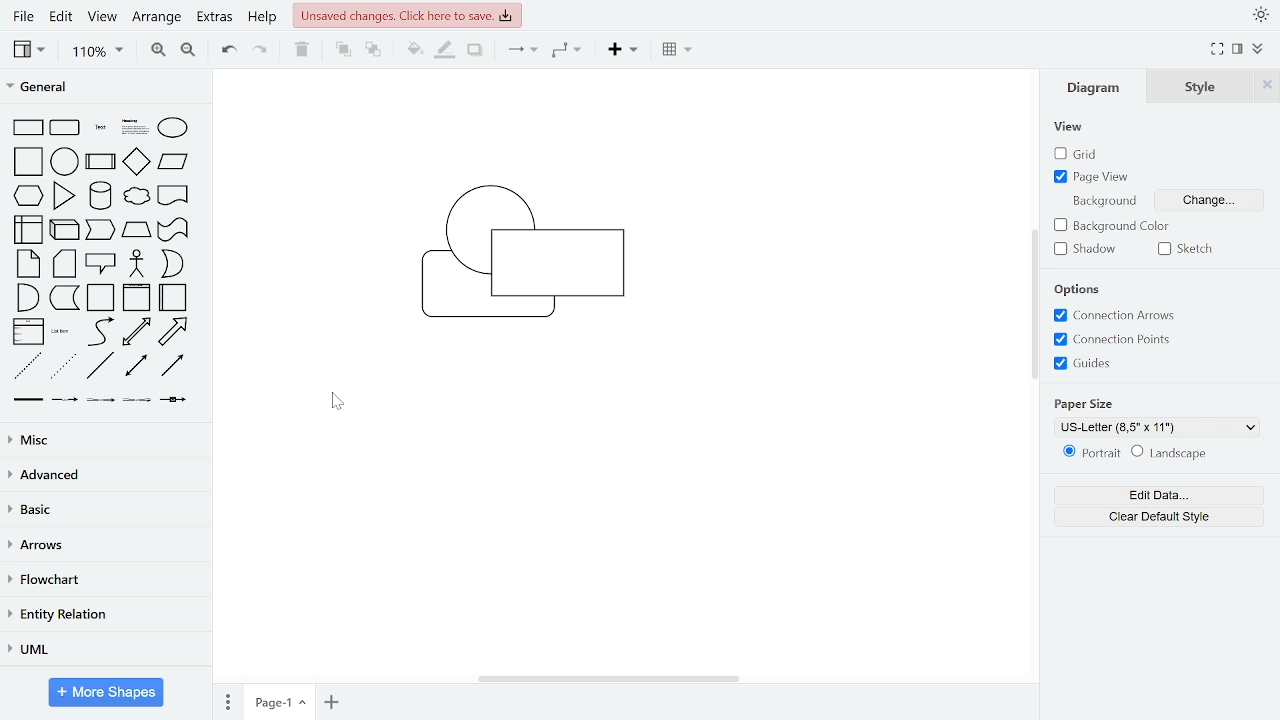 This screenshot has height=720, width=1280. Describe the element at coordinates (1153, 429) in the screenshot. I see `US-Letter (8,5" x 11")` at that location.